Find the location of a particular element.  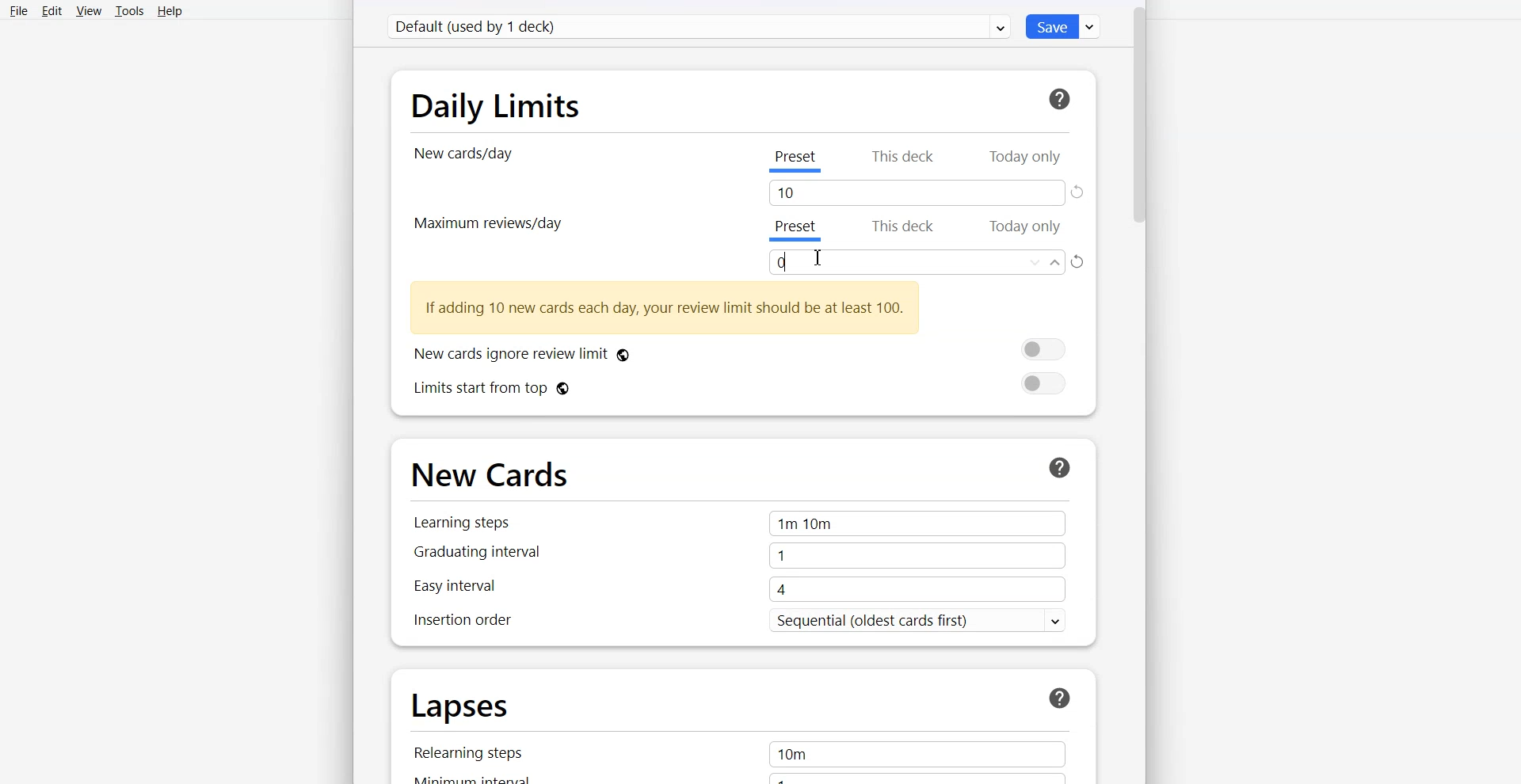

Save is located at coordinates (1065, 26).